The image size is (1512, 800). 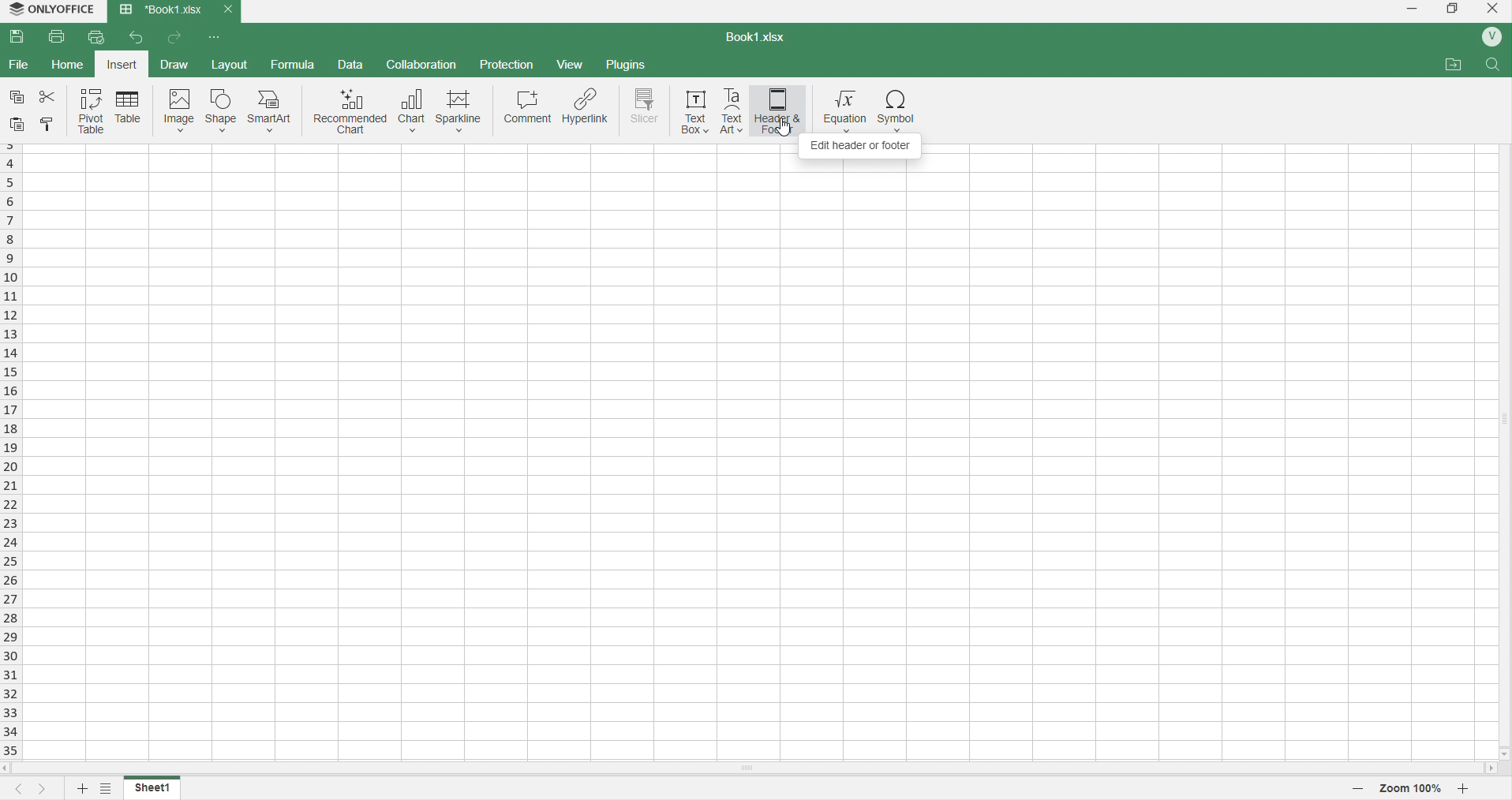 I want to click on copy, so click(x=18, y=96).